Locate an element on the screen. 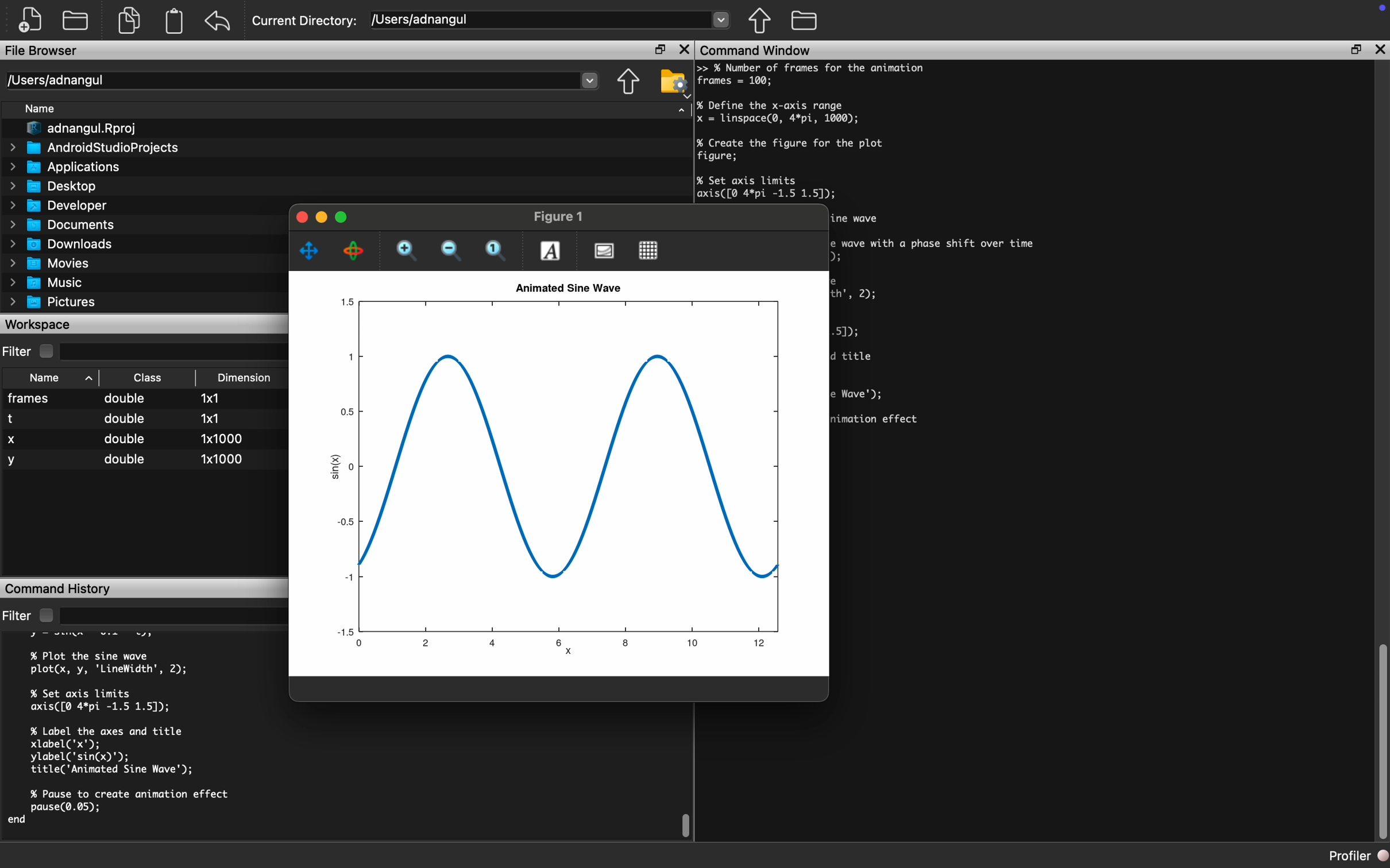 The image size is (1390, 868). move is located at coordinates (311, 250).